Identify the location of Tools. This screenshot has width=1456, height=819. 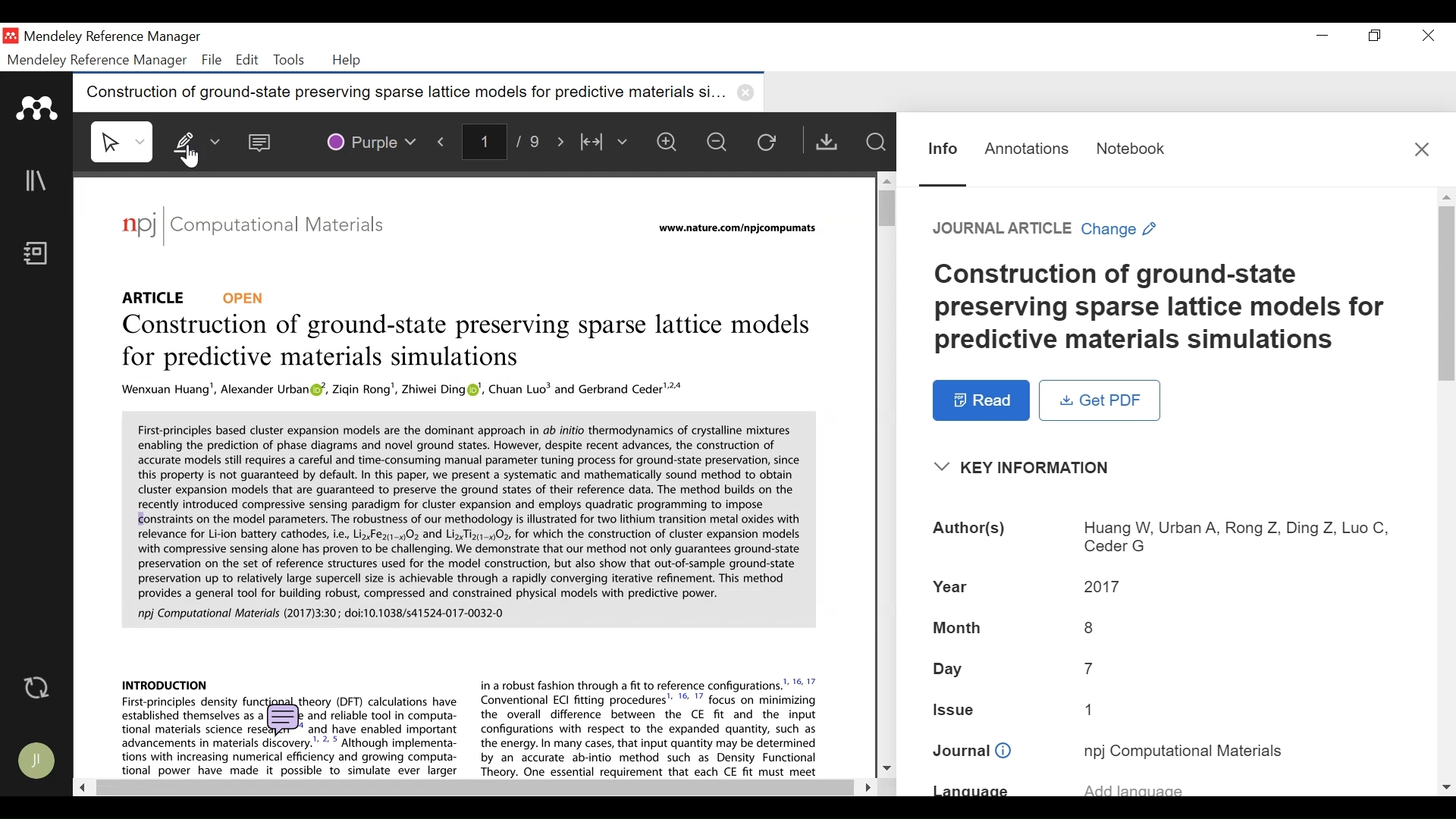
(287, 60).